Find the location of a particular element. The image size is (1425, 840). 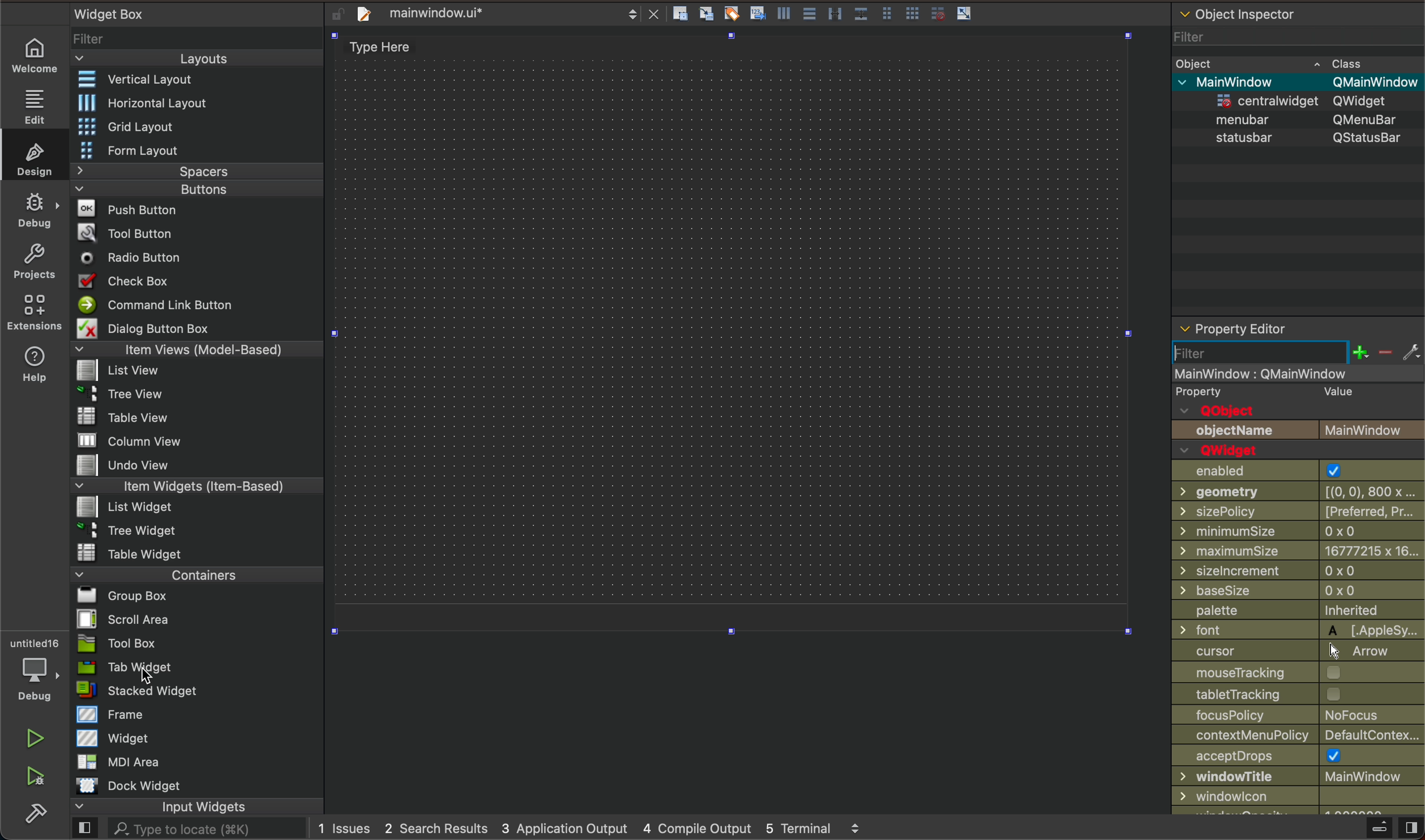

=centralwidaet OWidaet is located at coordinates (1294, 98).